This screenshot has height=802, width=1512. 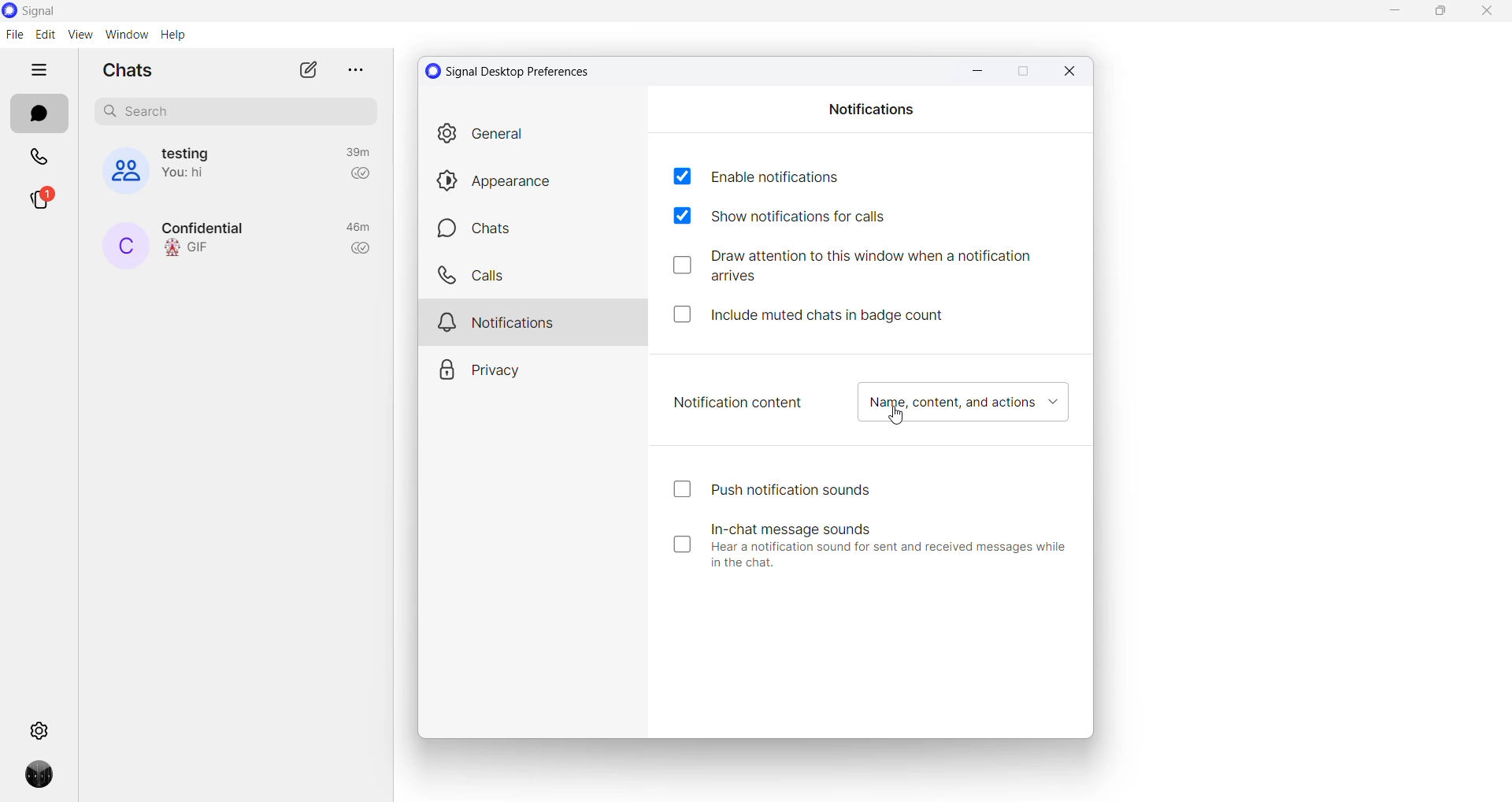 What do you see at coordinates (820, 313) in the screenshot?
I see `include muted chats in badge count` at bounding box center [820, 313].